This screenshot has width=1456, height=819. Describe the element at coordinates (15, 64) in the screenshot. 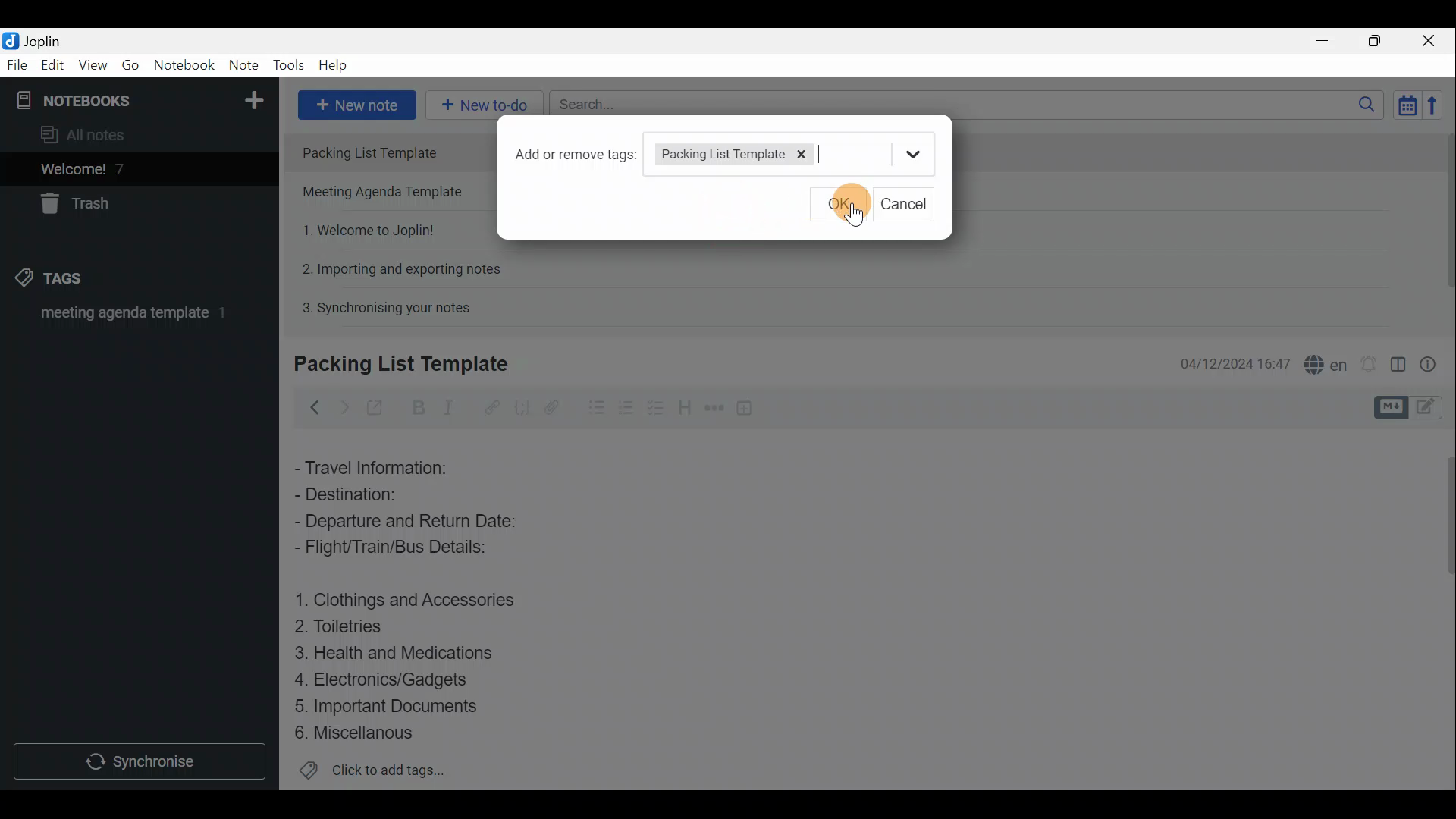

I see `File` at that location.